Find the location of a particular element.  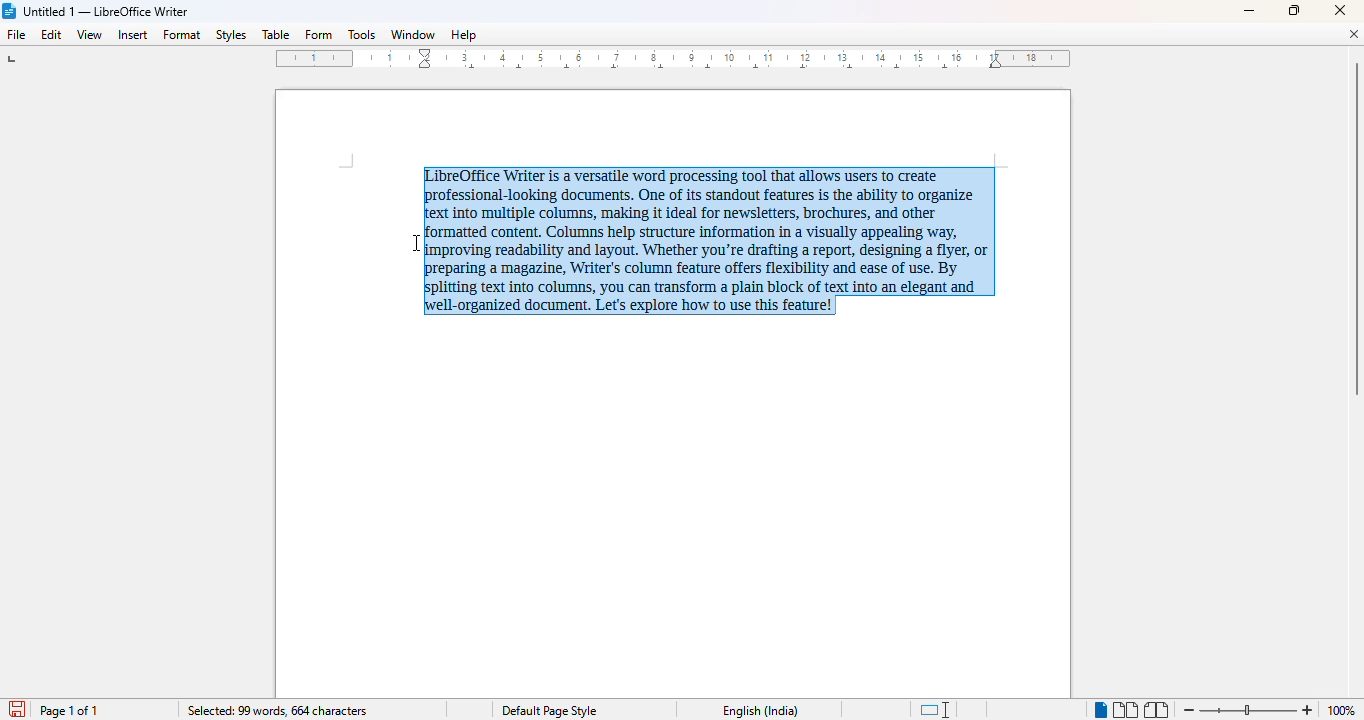

format is located at coordinates (183, 35).